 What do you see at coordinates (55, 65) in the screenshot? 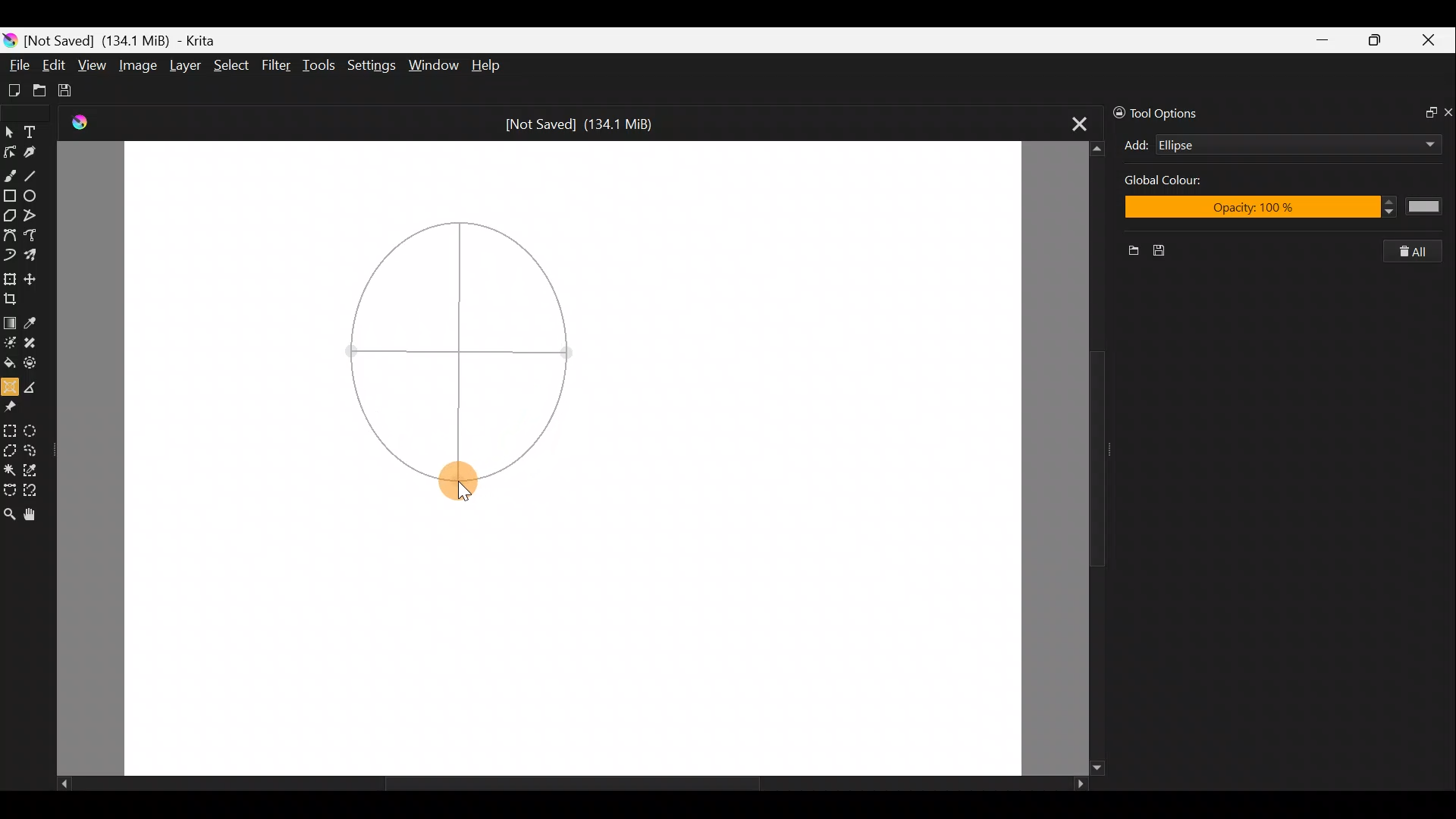
I see `Edit` at bounding box center [55, 65].